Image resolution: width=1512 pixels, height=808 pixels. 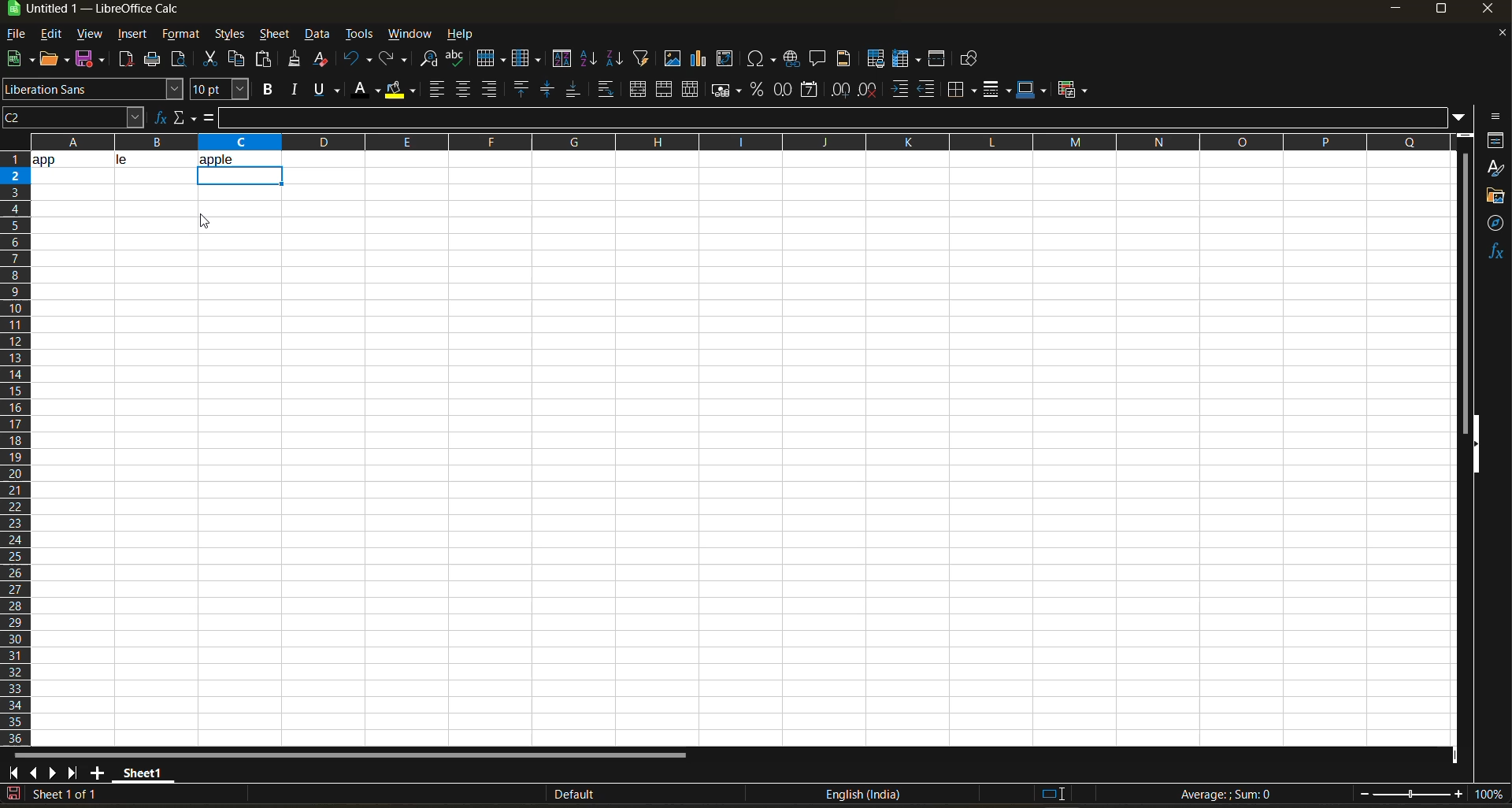 I want to click on zoom slider, so click(x=1411, y=795).